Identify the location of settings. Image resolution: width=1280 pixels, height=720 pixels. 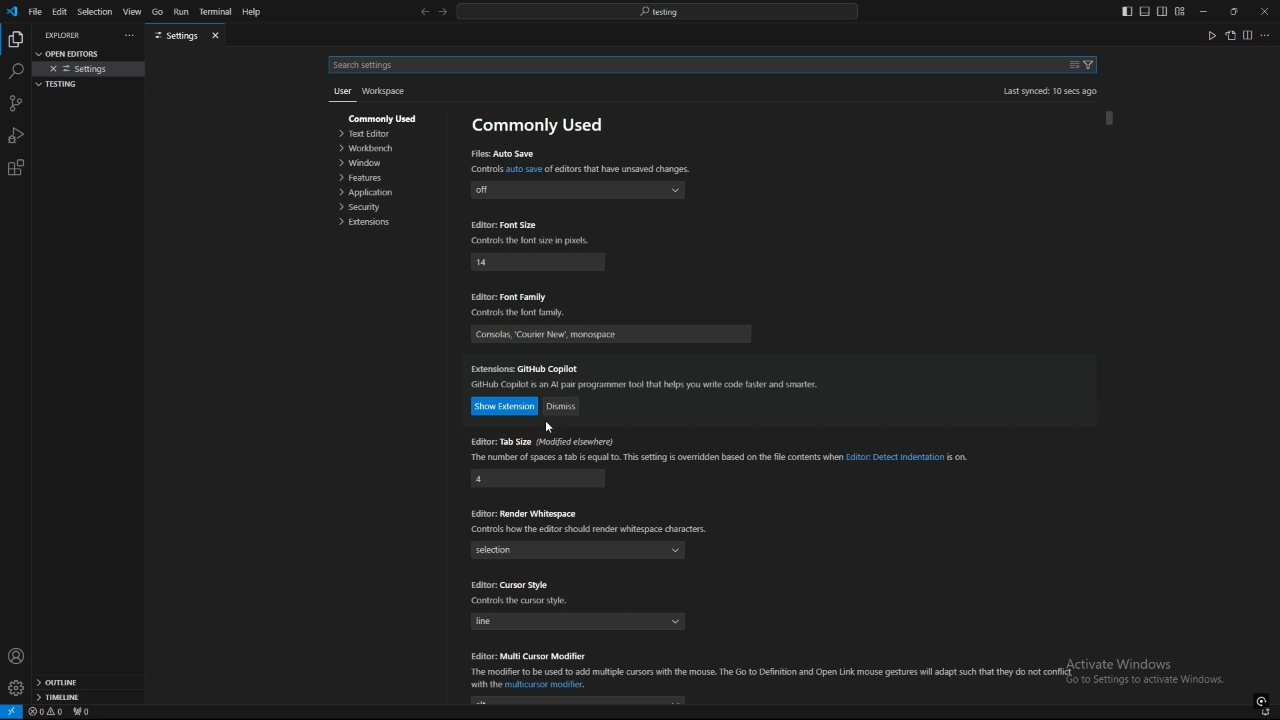
(176, 36).